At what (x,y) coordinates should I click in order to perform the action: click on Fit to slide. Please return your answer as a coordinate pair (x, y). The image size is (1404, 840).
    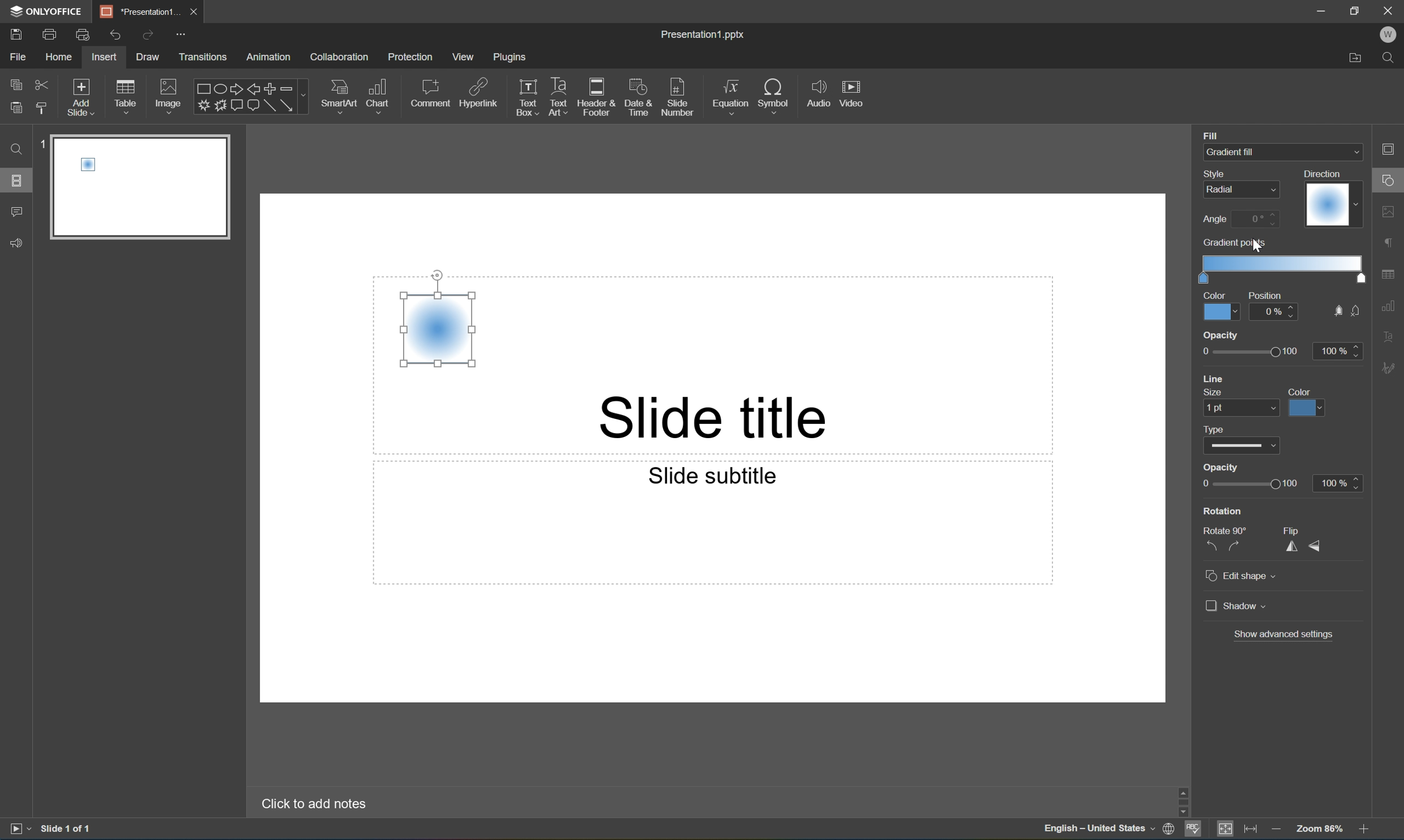
    Looking at the image, I should click on (1225, 829).